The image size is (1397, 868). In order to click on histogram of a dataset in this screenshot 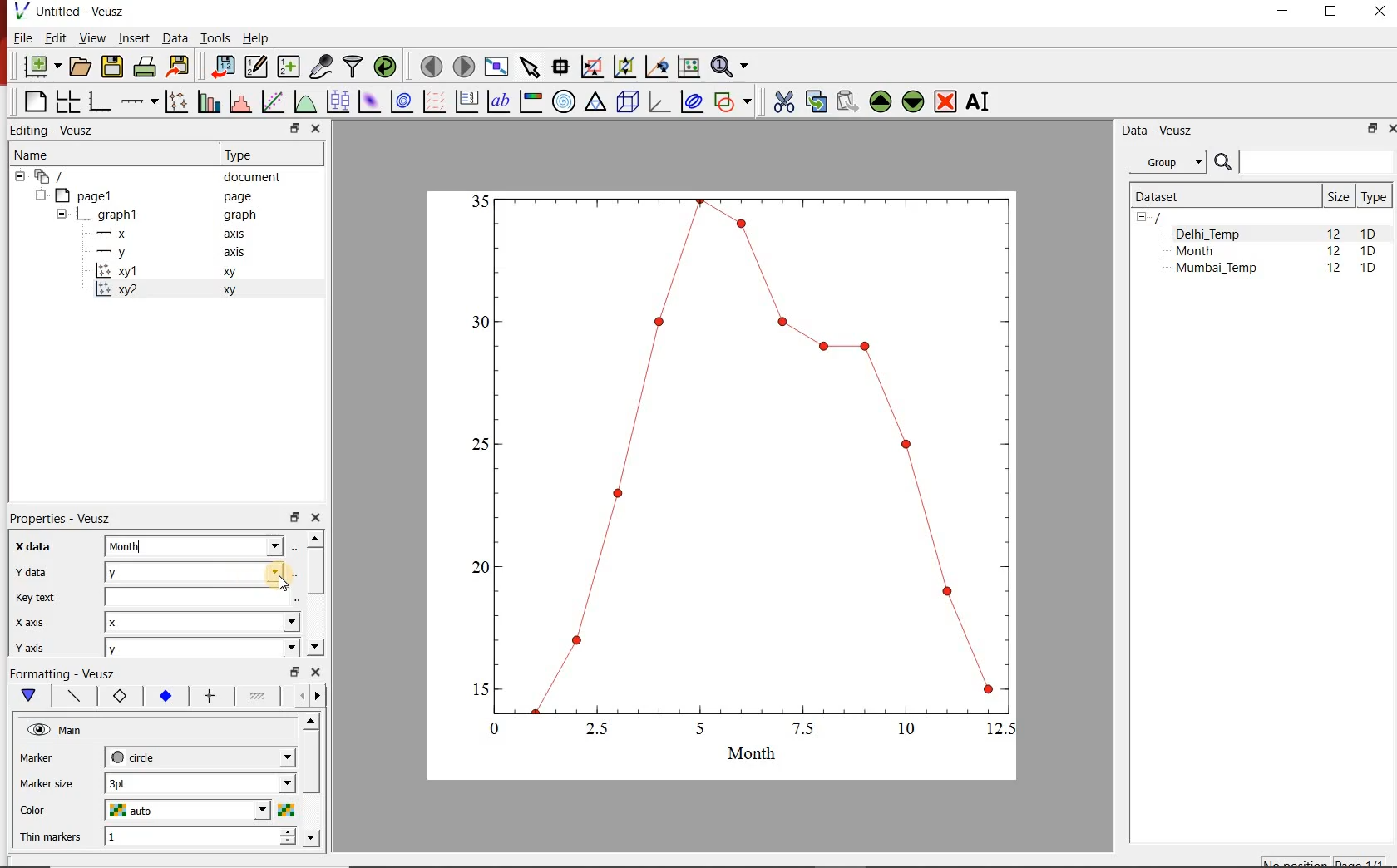, I will do `click(239, 101)`.